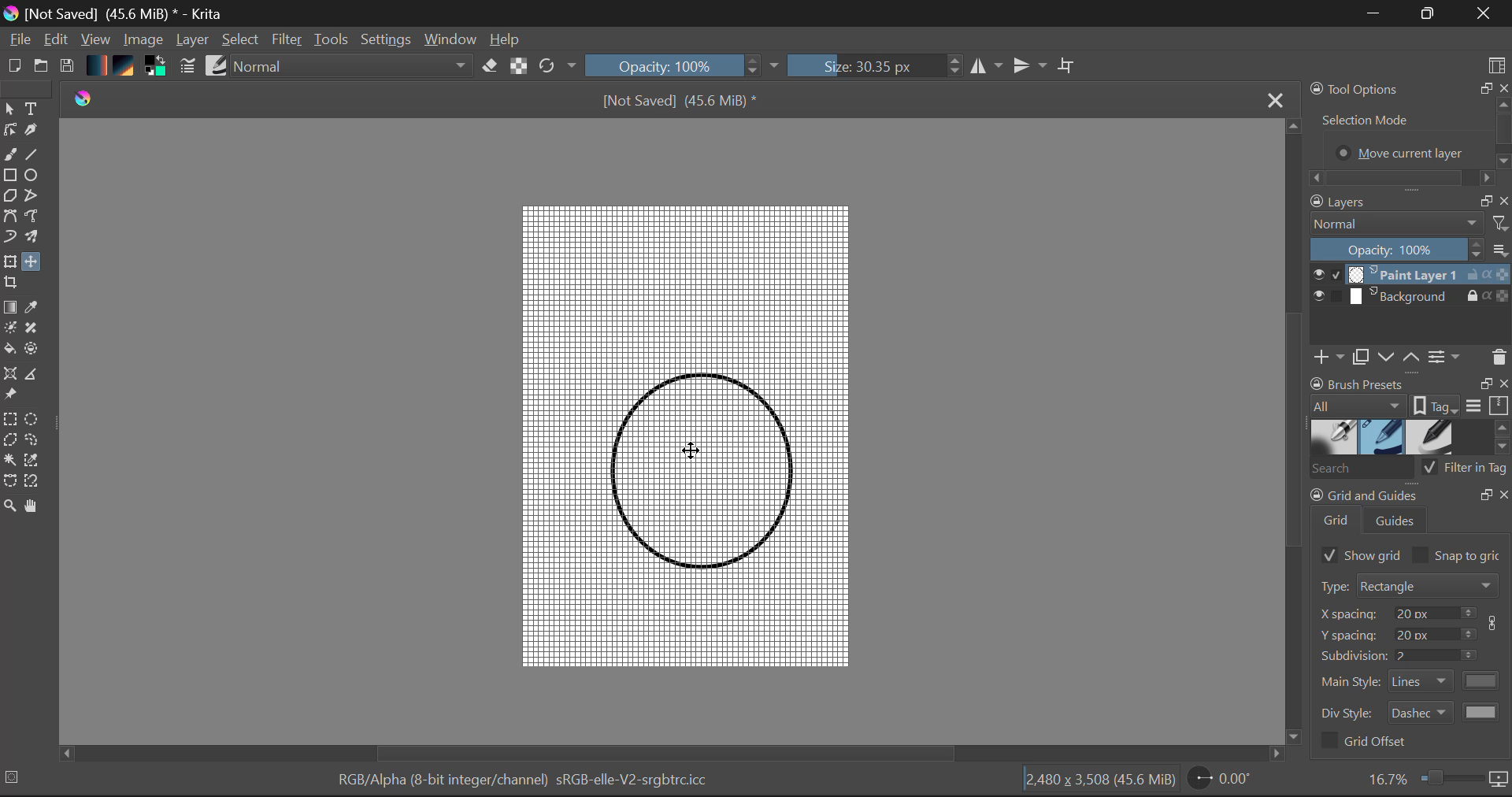 This screenshot has height=797, width=1512. I want to click on Edit, so click(57, 40).